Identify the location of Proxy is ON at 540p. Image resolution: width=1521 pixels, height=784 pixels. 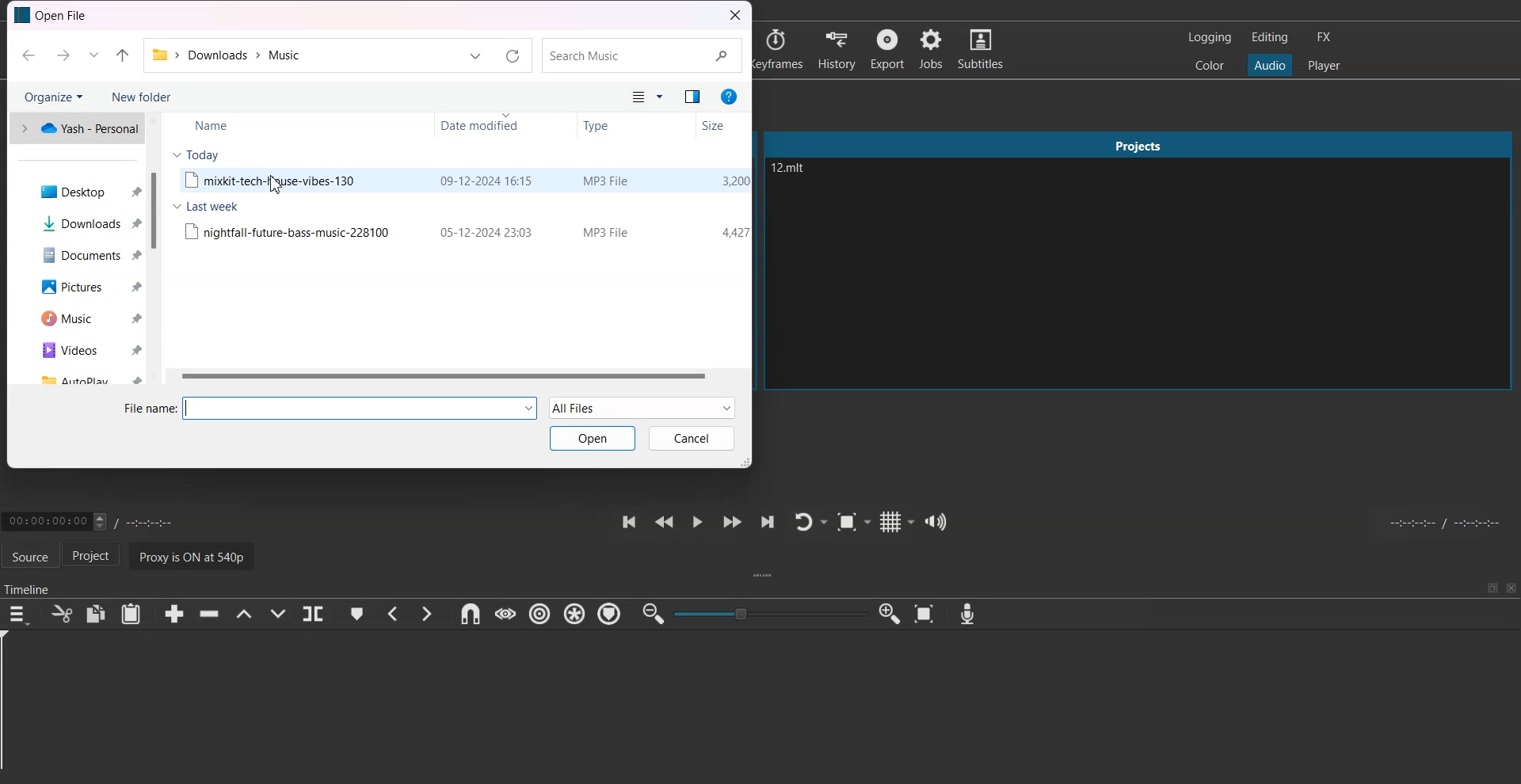
(196, 555).